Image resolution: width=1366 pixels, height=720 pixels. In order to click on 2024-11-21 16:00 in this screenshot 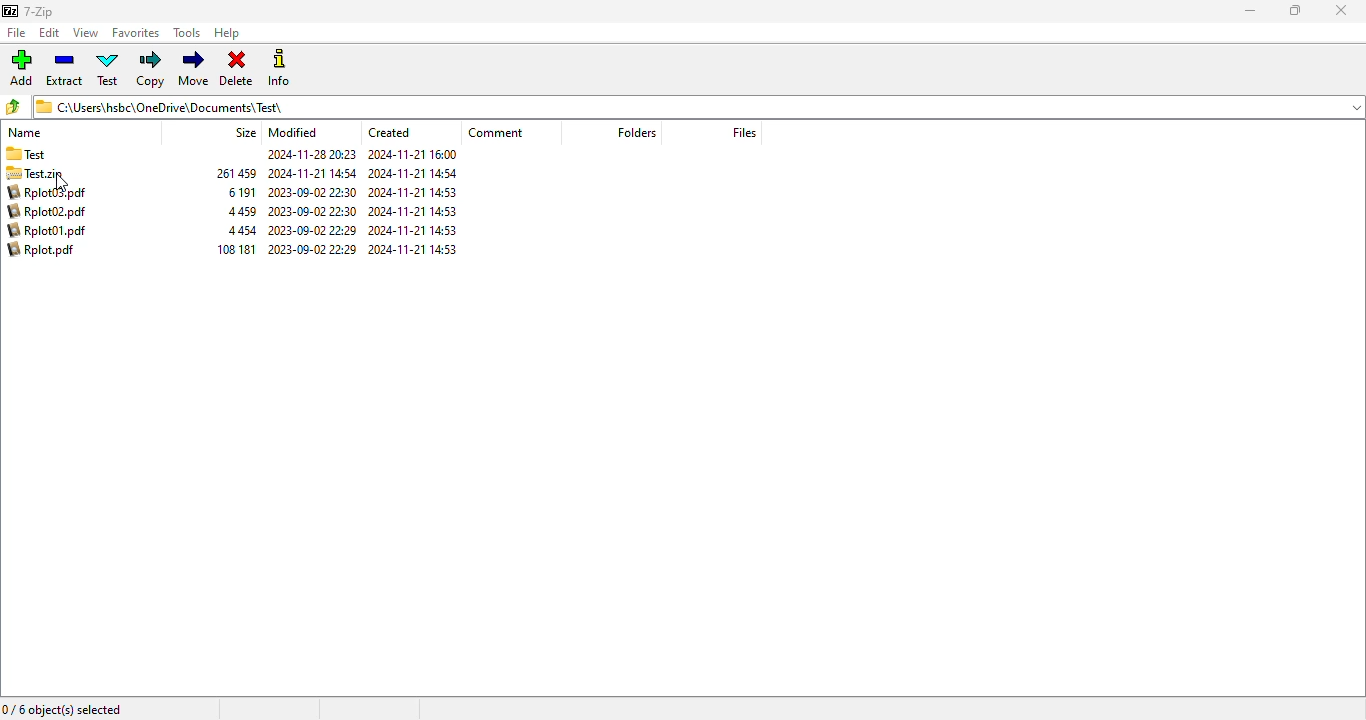, I will do `click(415, 155)`.